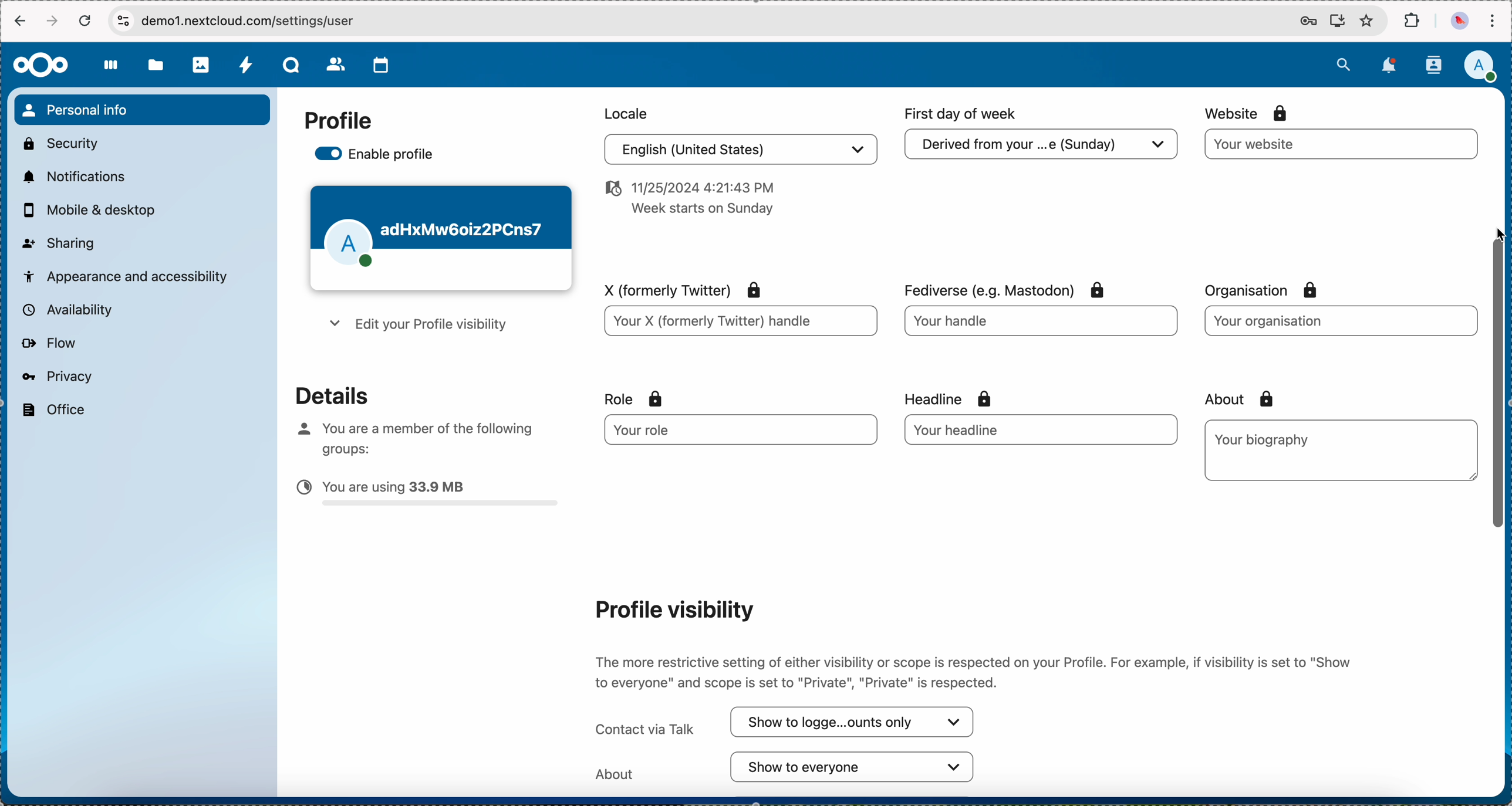 The height and width of the screenshot is (806, 1512). What do you see at coordinates (415, 327) in the screenshot?
I see `edit your profile visibility` at bounding box center [415, 327].